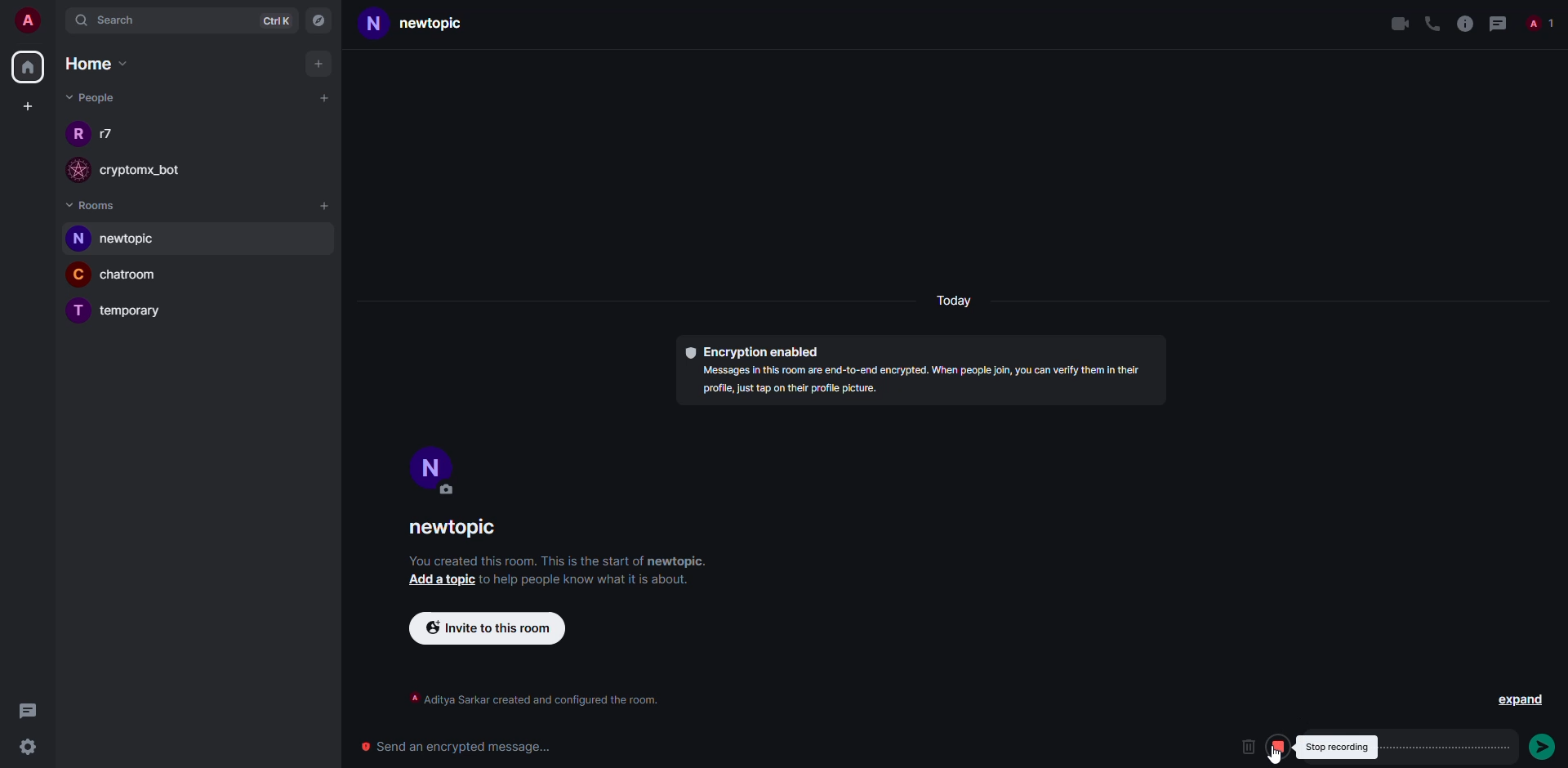 The width and height of the screenshot is (1568, 768). Describe the element at coordinates (452, 493) in the screenshot. I see `edit profile image` at that location.